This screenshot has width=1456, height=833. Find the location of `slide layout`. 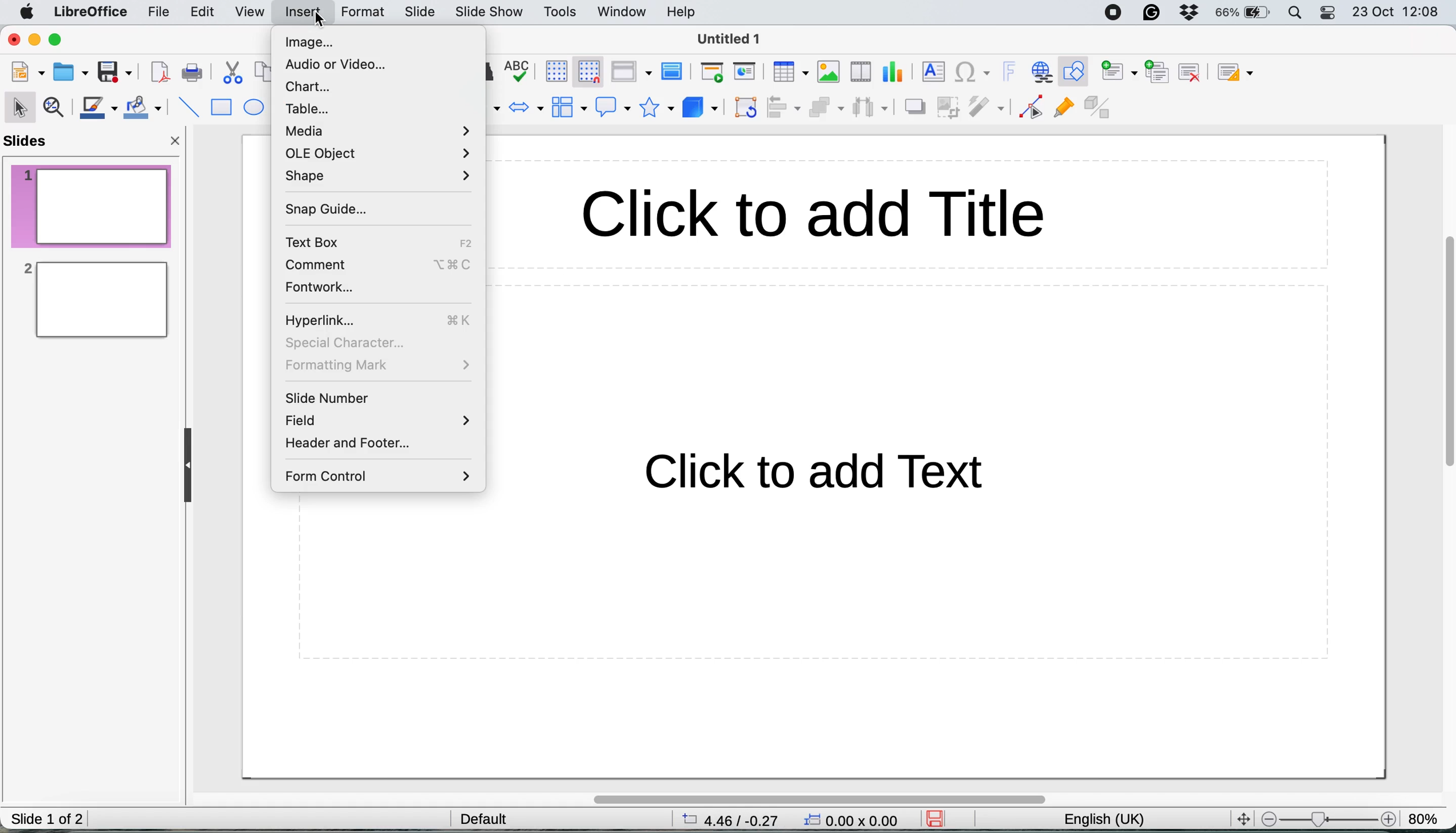

slide layout is located at coordinates (1240, 73).